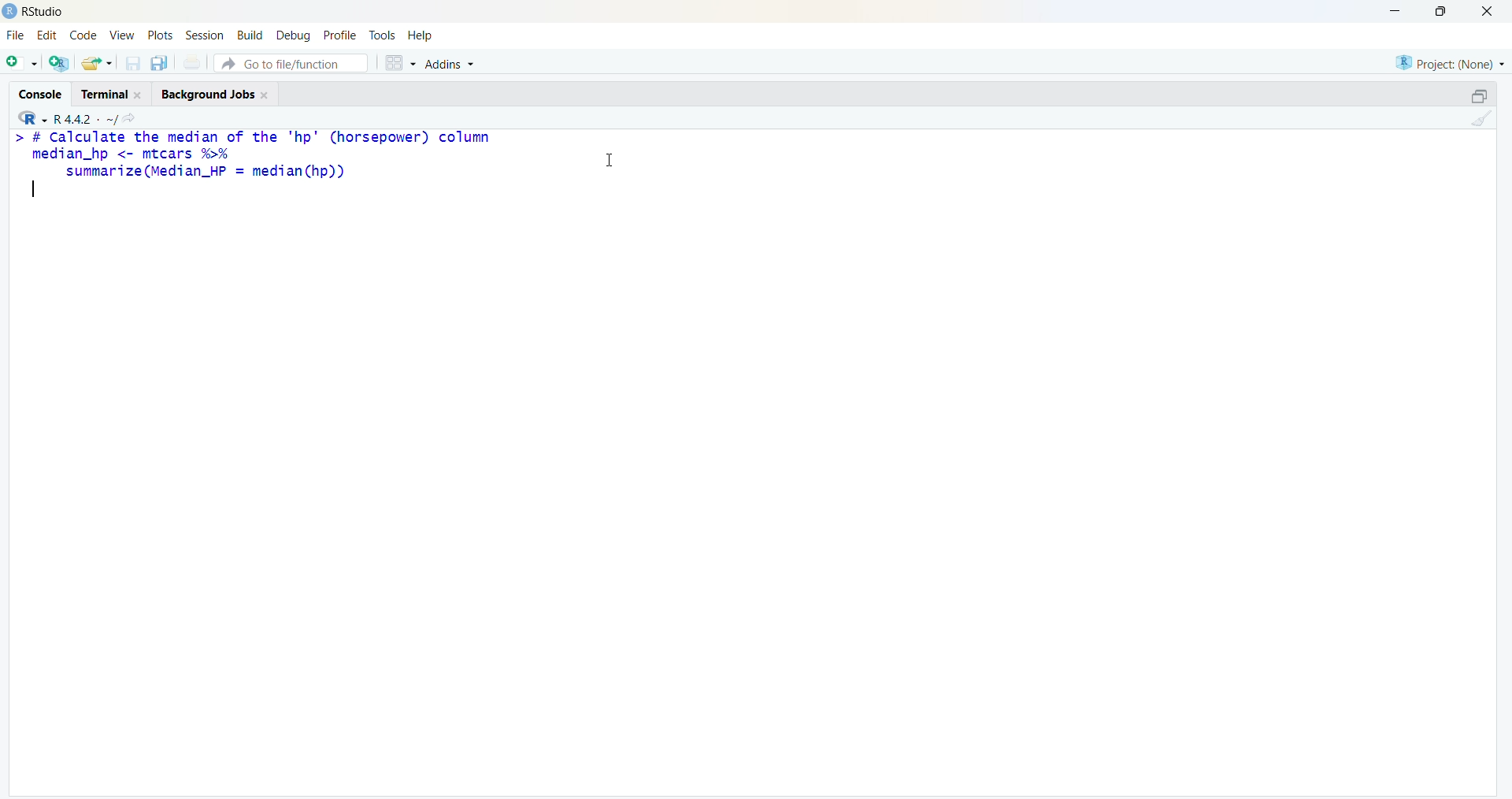 This screenshot has height=799, width=1512. Describe the element at coordinates (87, 119) in the screenshot. I see `R 4.4.2 ~/` at that location.